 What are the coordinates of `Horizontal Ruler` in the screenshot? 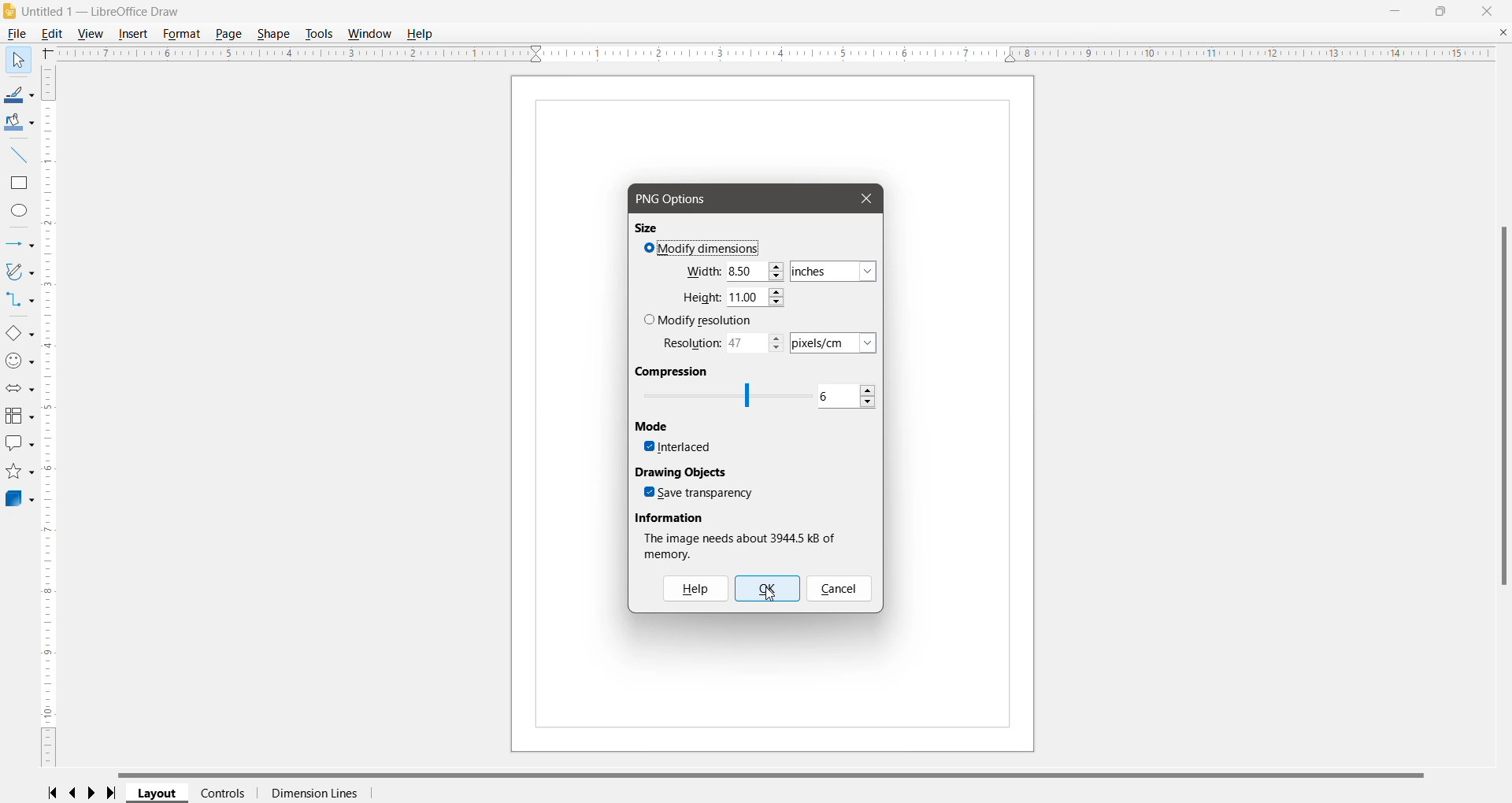 It's located at (774, 54).